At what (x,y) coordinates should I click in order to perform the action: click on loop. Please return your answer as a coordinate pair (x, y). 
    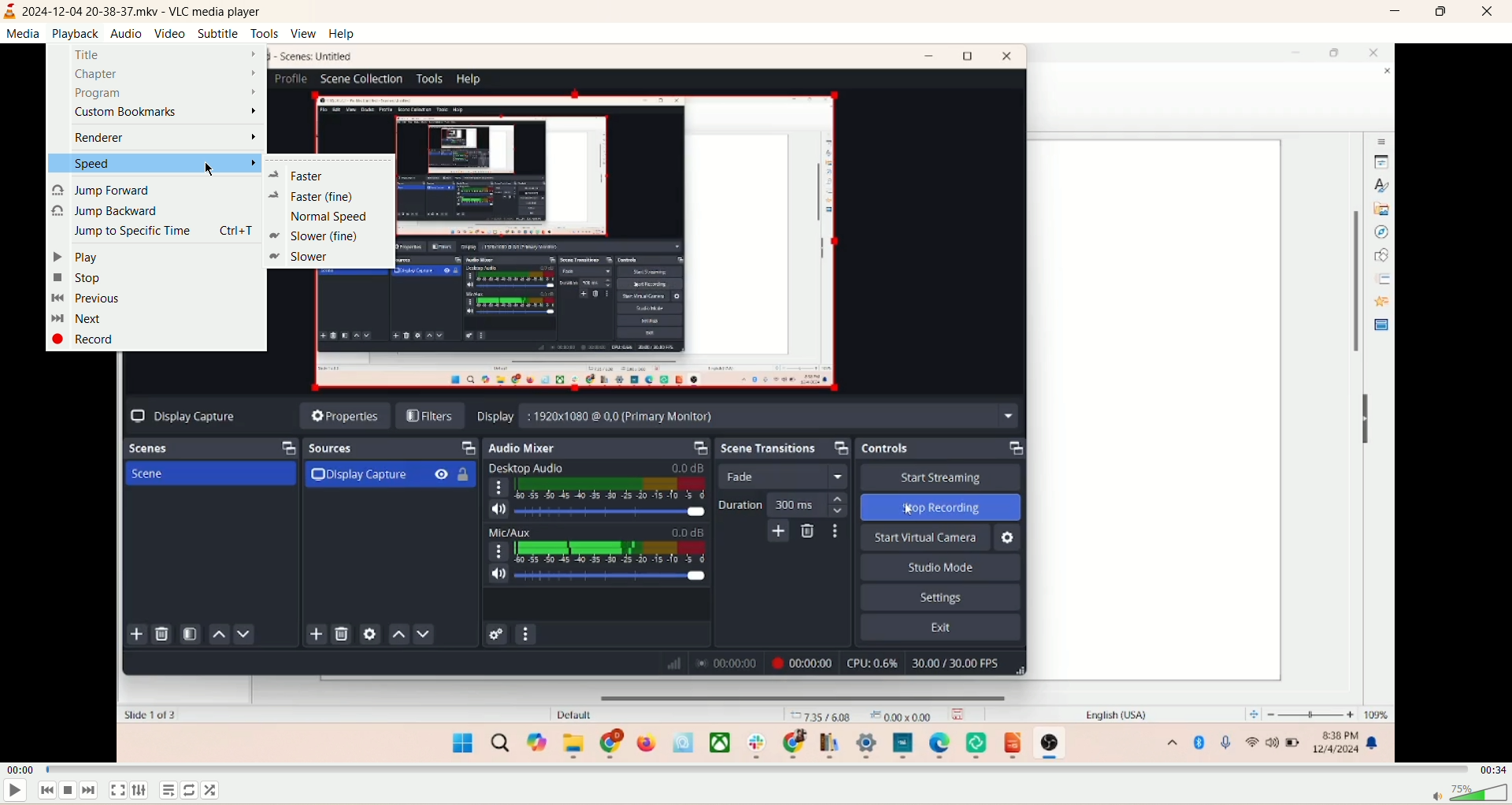
    Looking at the image, I should click on (190, 790).